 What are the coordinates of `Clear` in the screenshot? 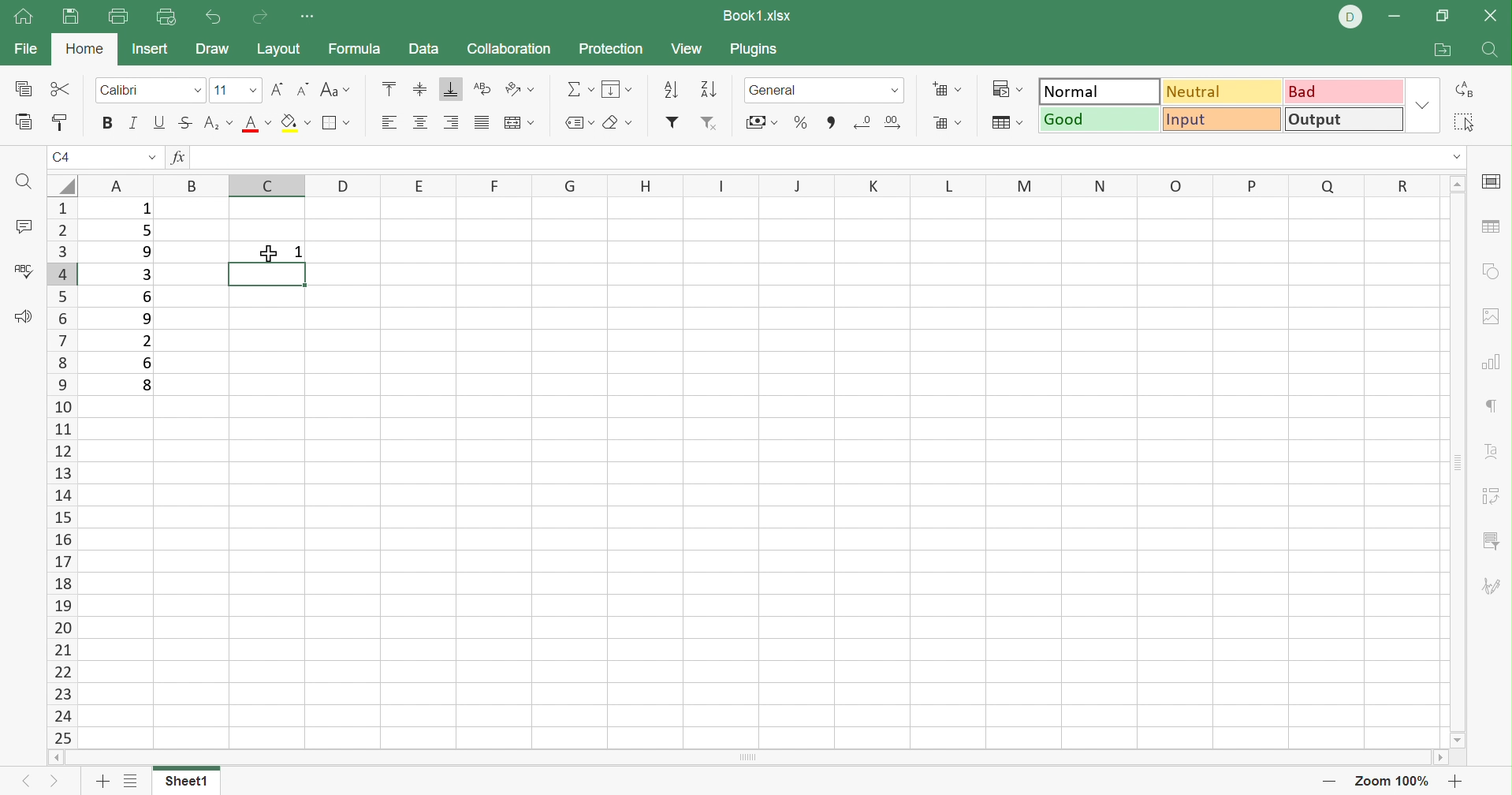 It's located at (622, 121).